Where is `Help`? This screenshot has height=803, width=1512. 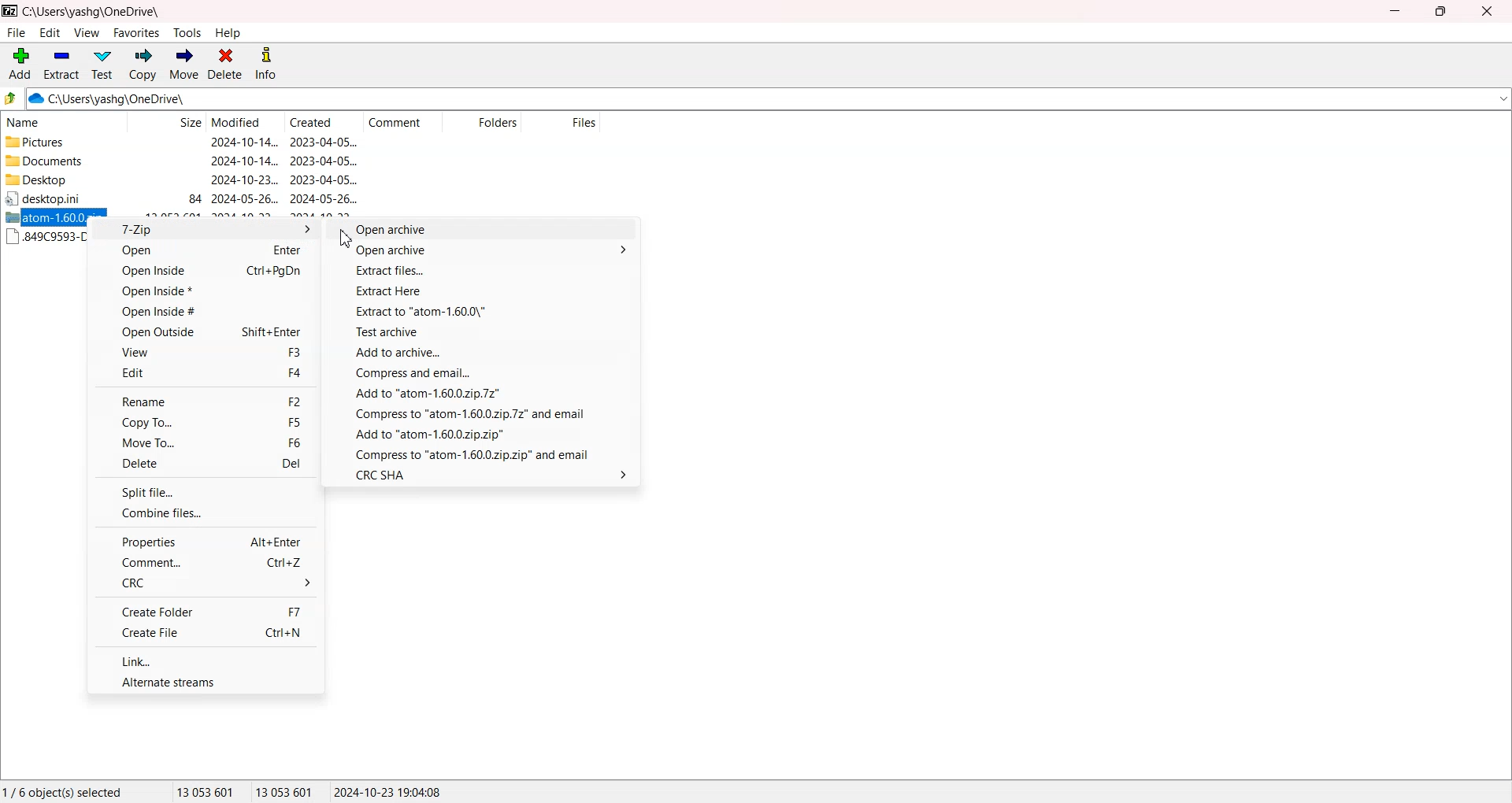 Help is located at coordinates (228, 33).